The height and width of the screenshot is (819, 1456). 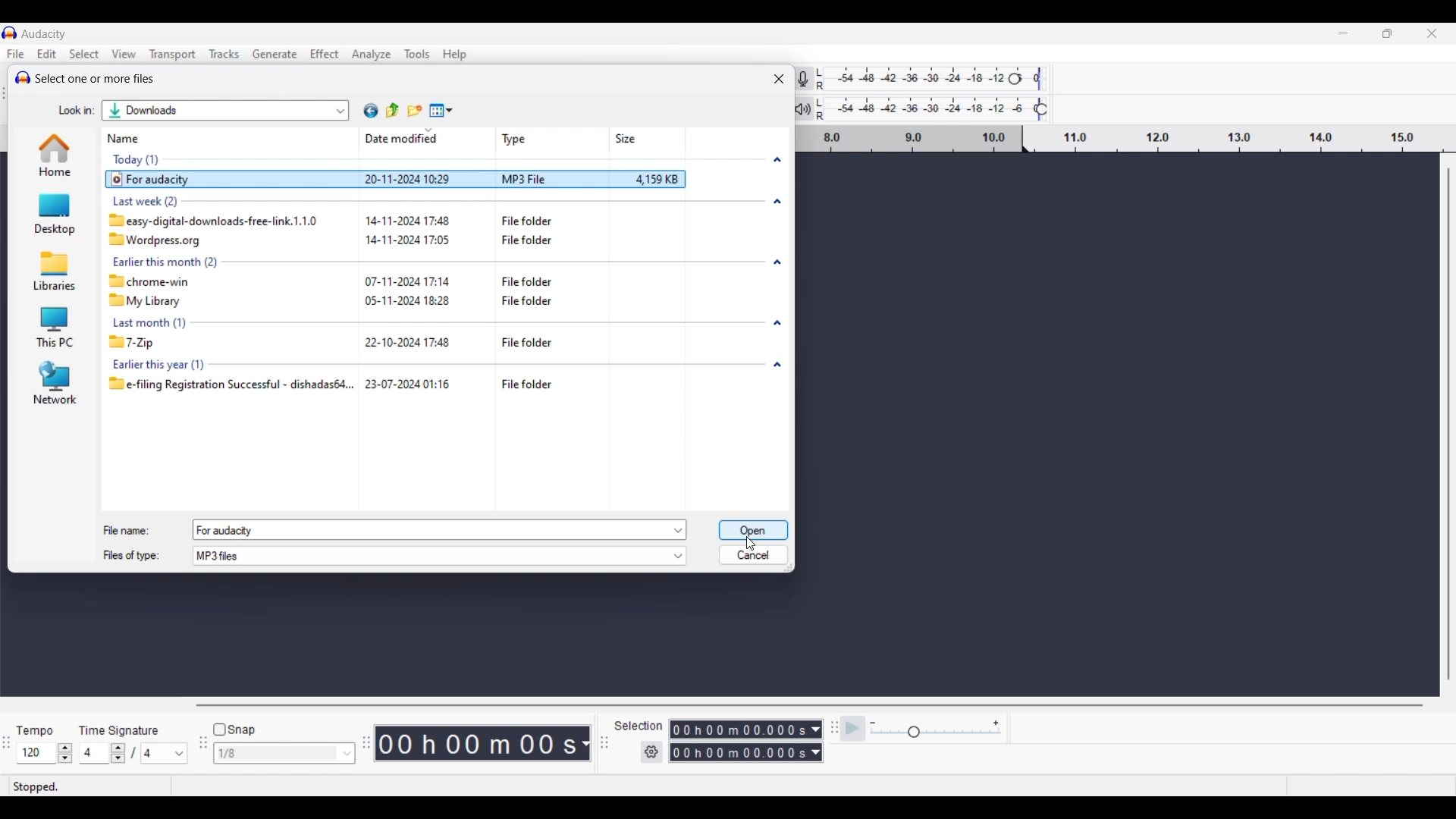 What do you see at coordinates (430, 388) in the screenshot?
I see `1 e-filing Registration Successful - dishadastd... 23-07-2024 01:16 File folder` at bounding box center [430, 388].